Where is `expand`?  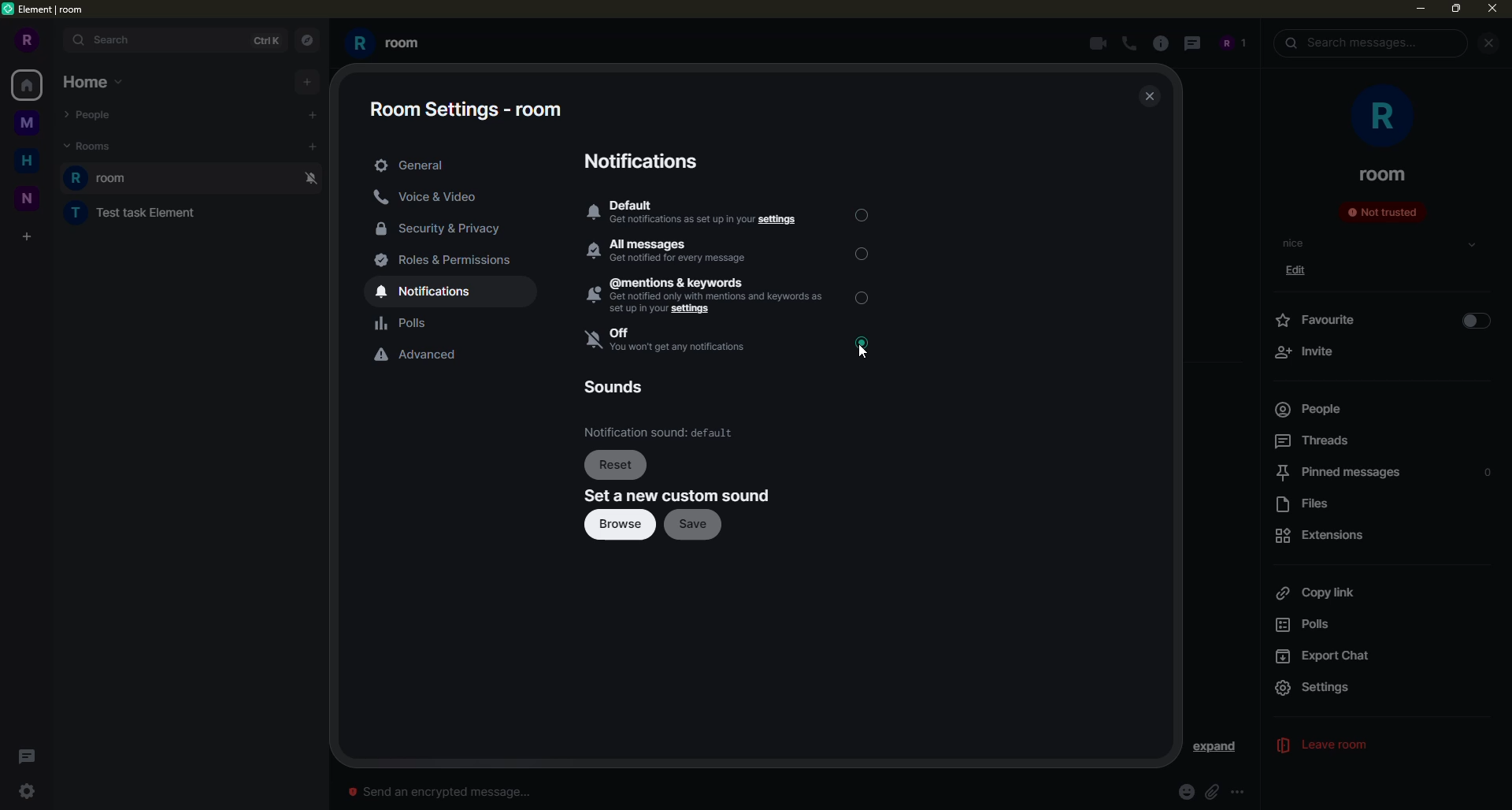
expand is located at coordinates (1485, 688).